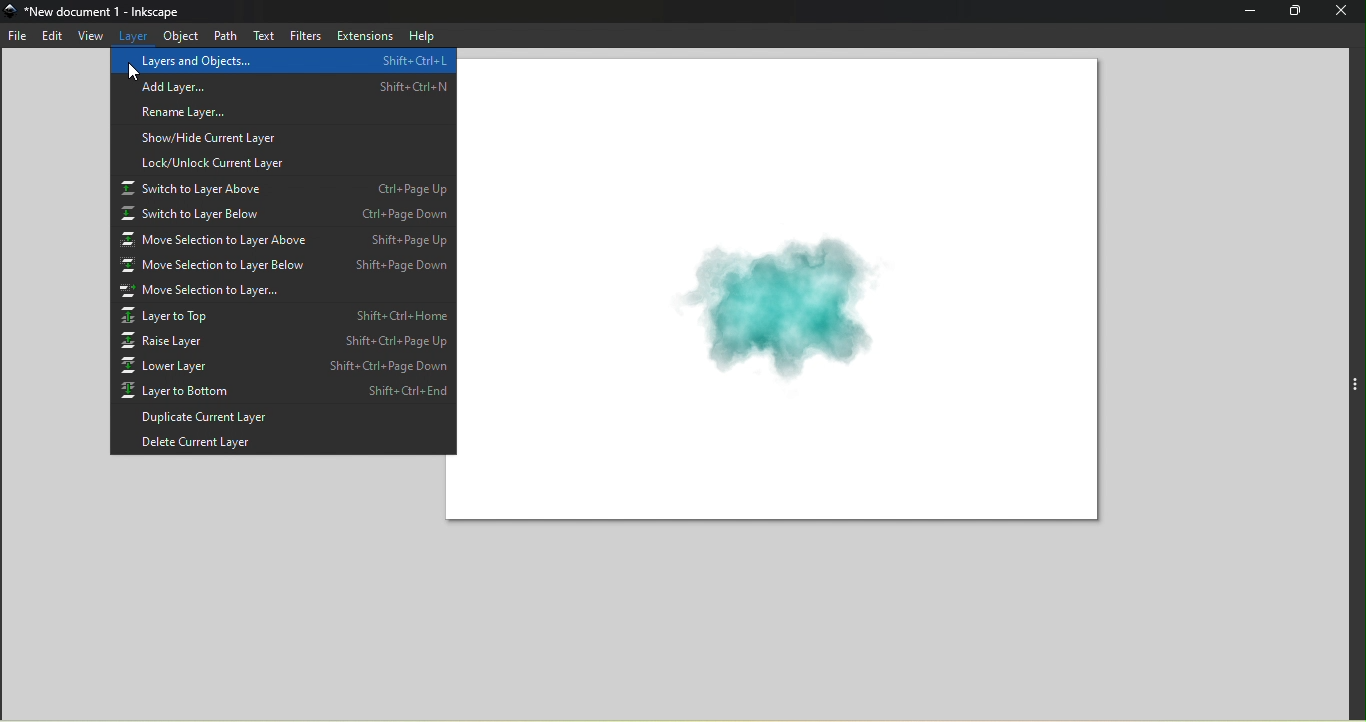 This screenshot has height=722, width=1366. I want to click on Edit, so click(52, 36).